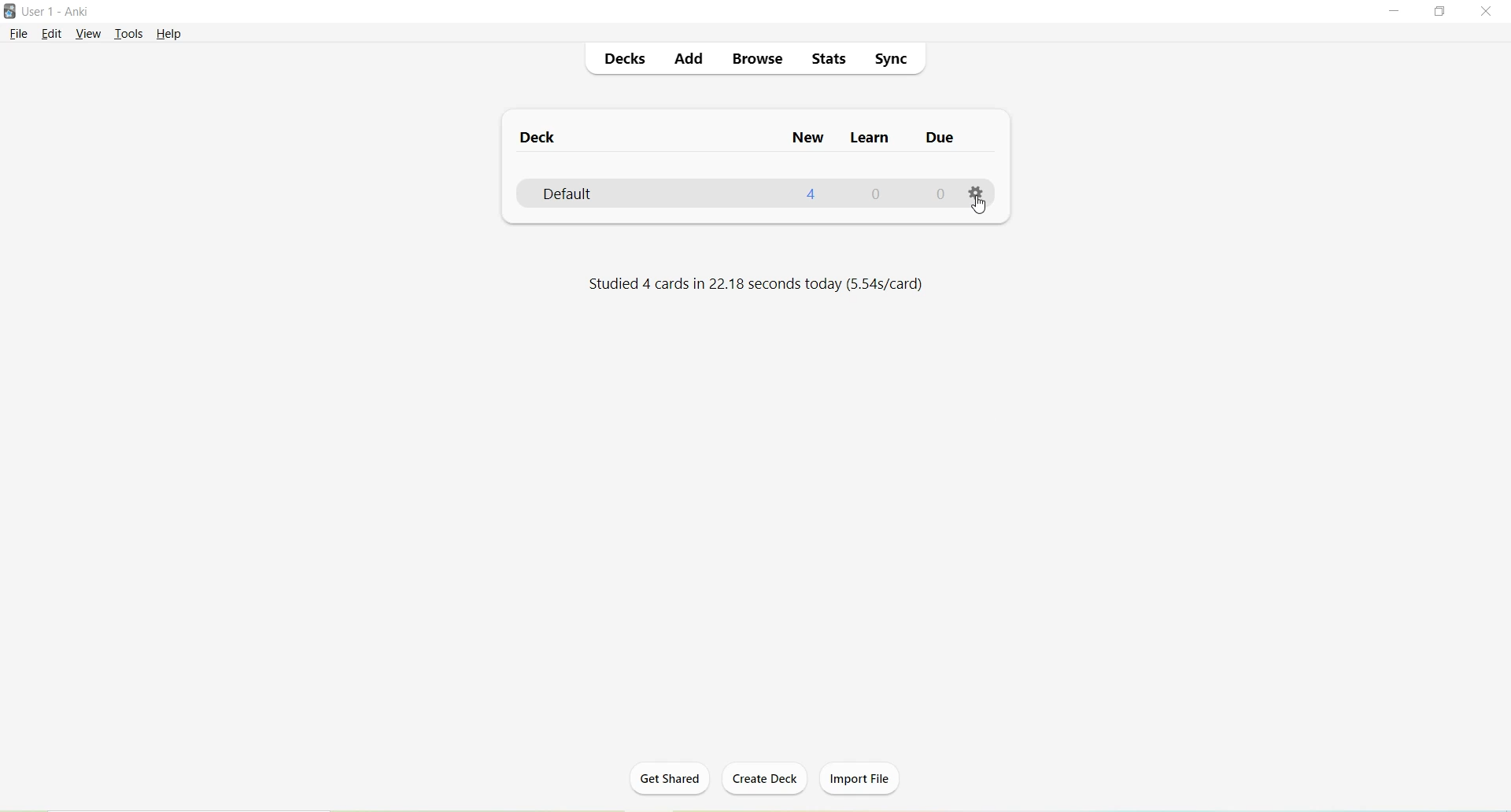 The height and width of the screenshot is (812, 1511). Describe the element at coordinates (766, 780) in the screenshot. I see `Create Deck` at that location.